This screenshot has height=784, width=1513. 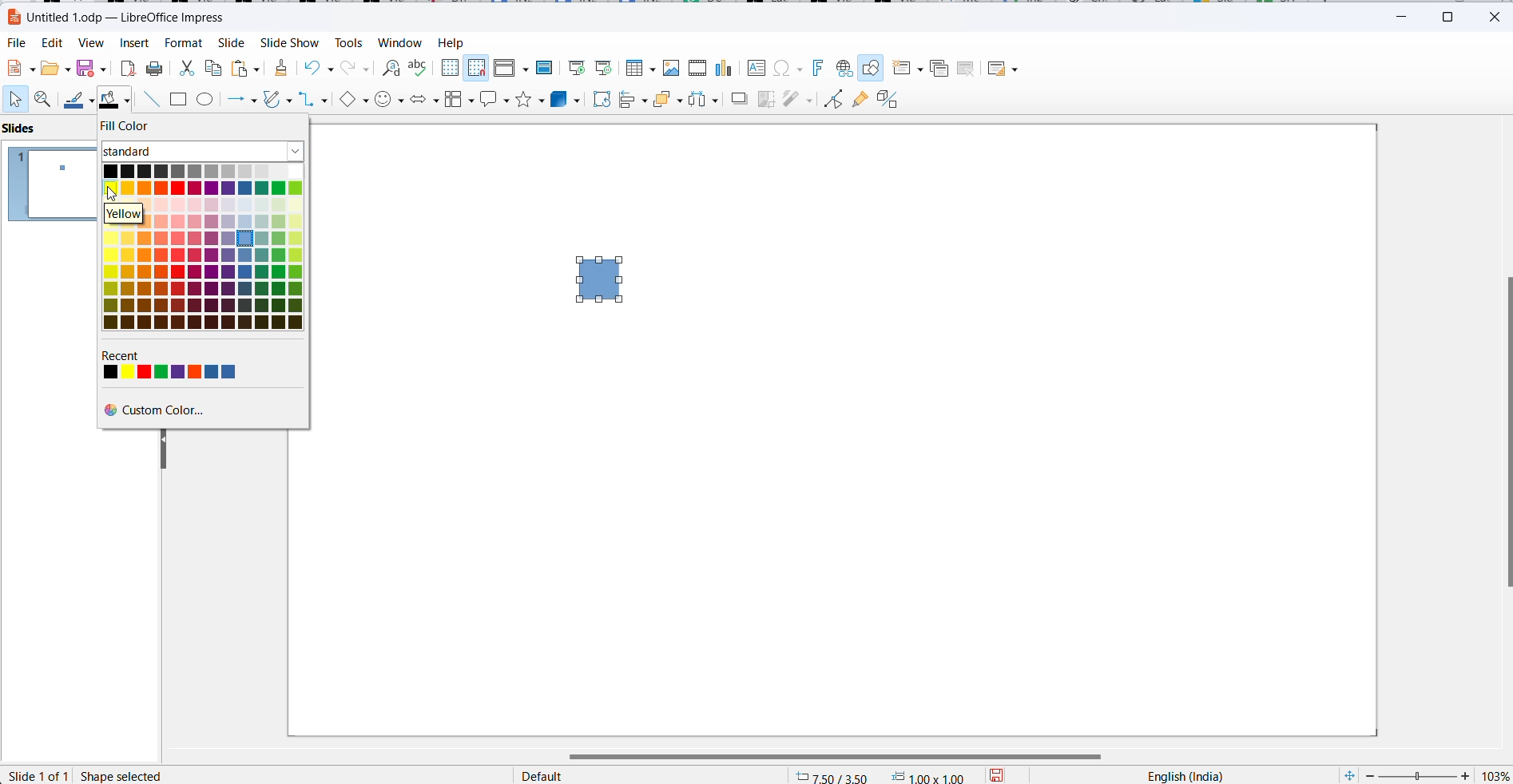 I want to click on Insert audio video, so click(x=699, y=69).